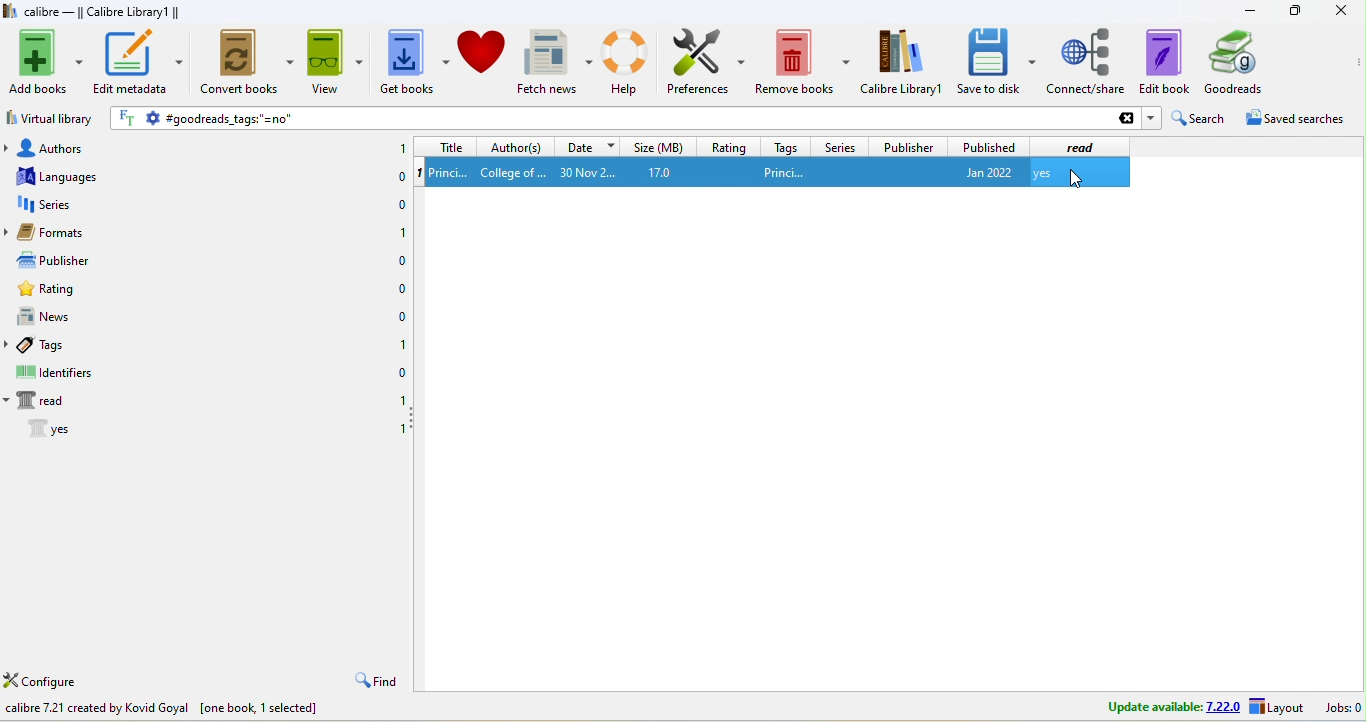 This screenshot has height=722, width=1366. What do you see at coordinates (1339, 11) in the screenshot?
I see `close` at bounding box center [1339, 11].